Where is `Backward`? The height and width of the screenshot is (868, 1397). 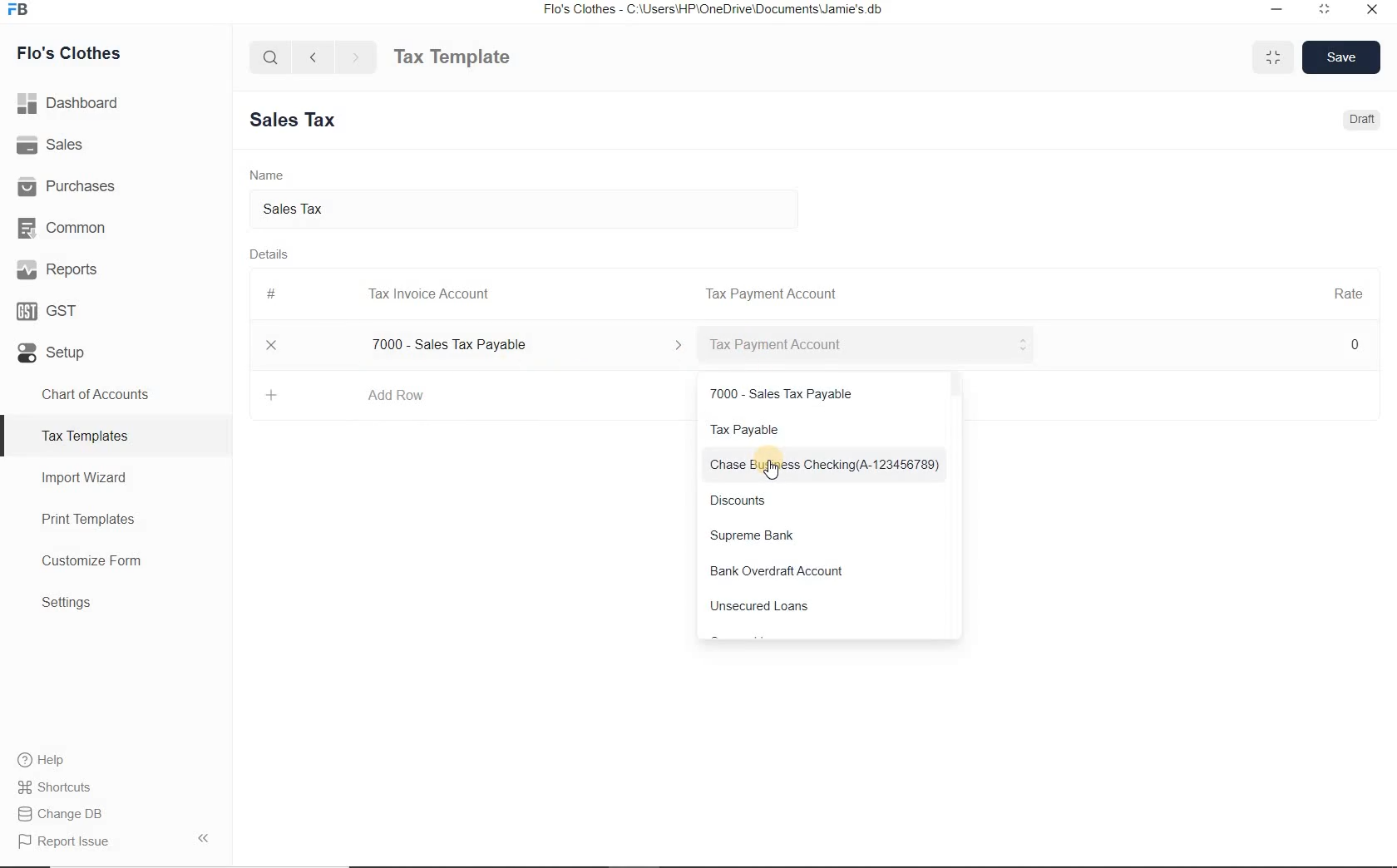
Backward is located at coordinates (313, 56).